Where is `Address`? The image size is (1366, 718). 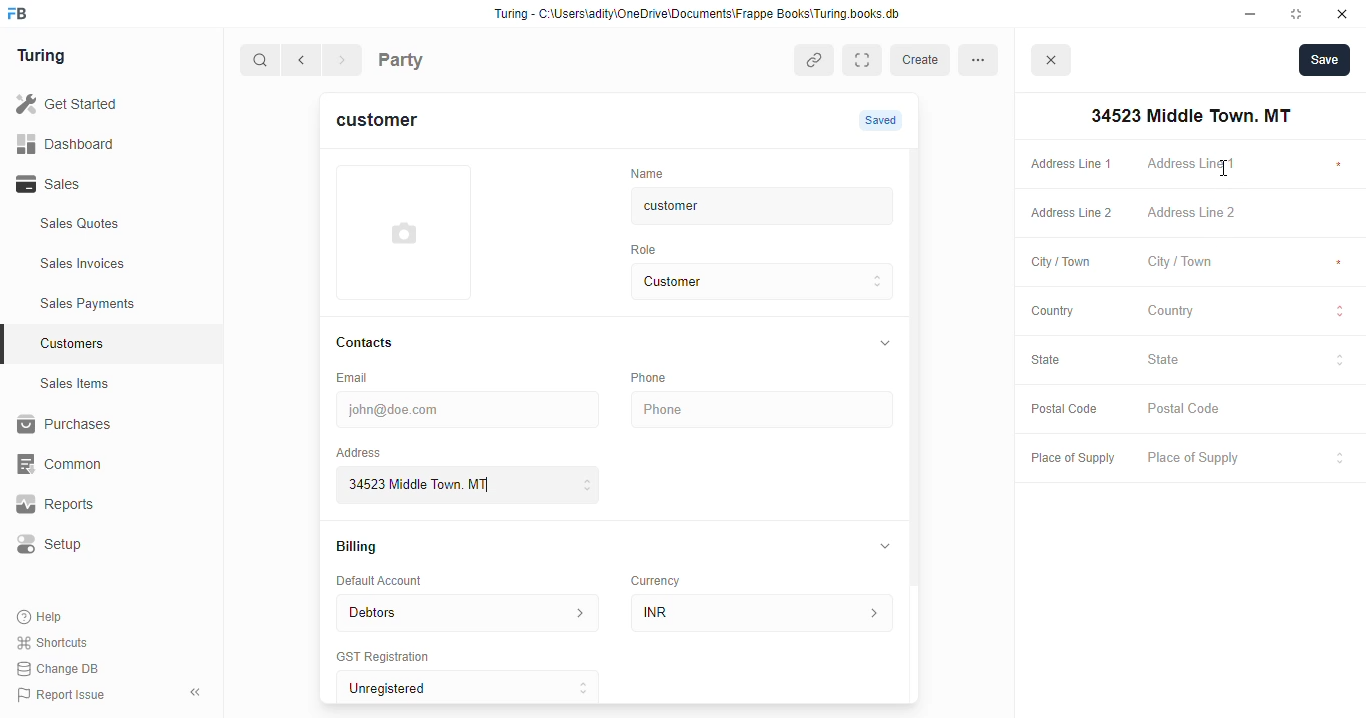 Address is located at coordinates (372, 451).